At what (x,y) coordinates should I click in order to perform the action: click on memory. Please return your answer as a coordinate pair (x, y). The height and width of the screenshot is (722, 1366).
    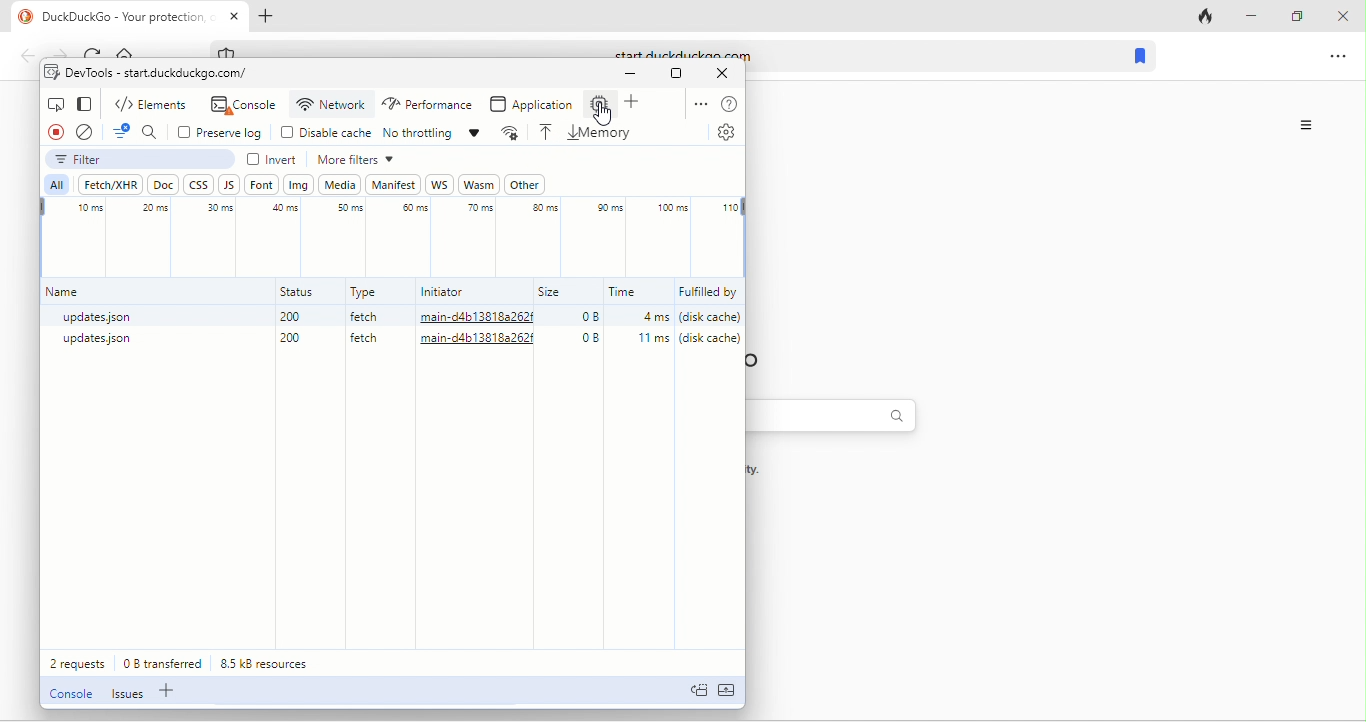
    Looking at the image, I should click on (597, 97).